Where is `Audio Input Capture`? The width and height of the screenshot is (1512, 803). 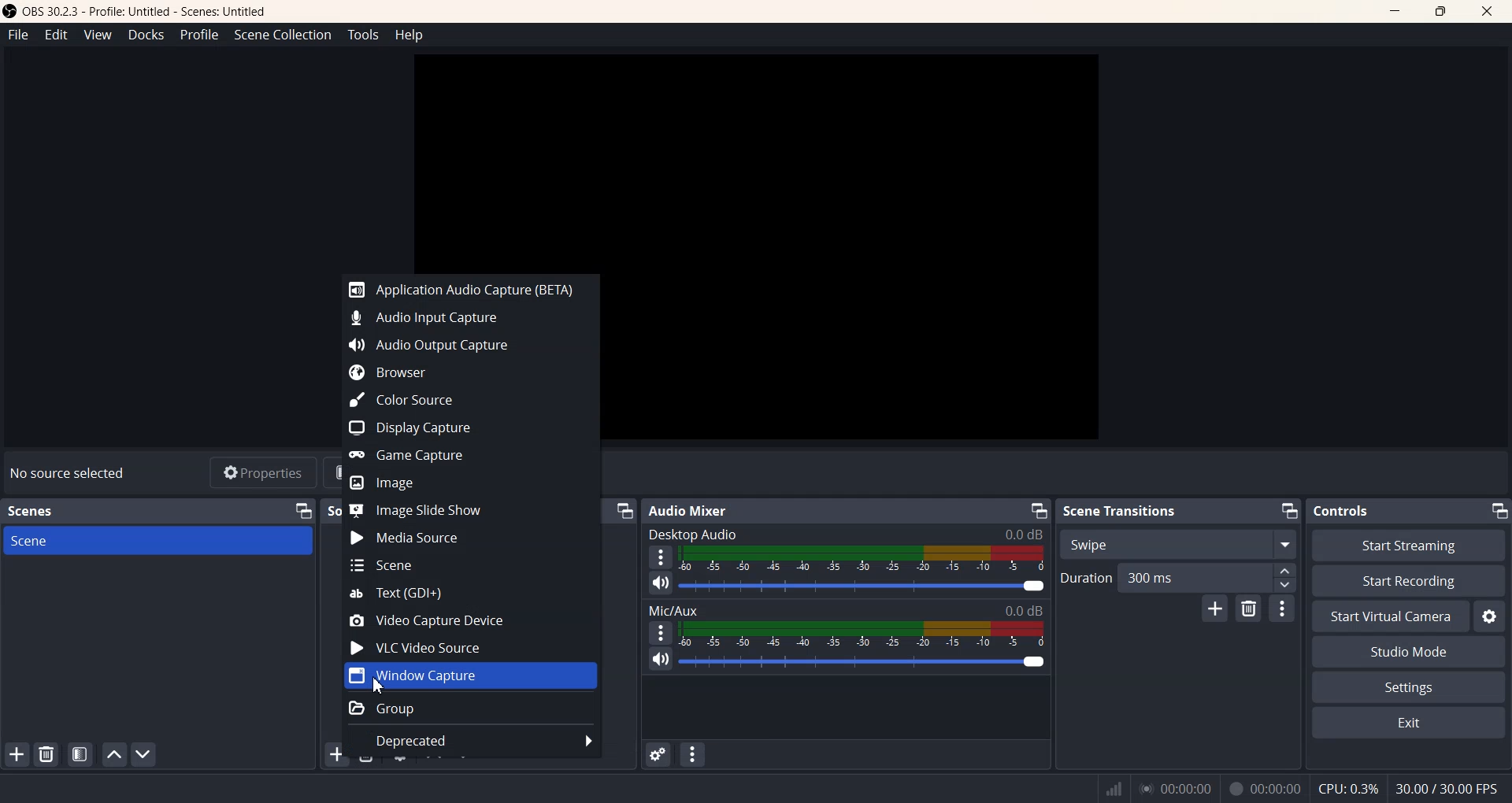
Audio Input Capture is located at coordinates (467, 316).